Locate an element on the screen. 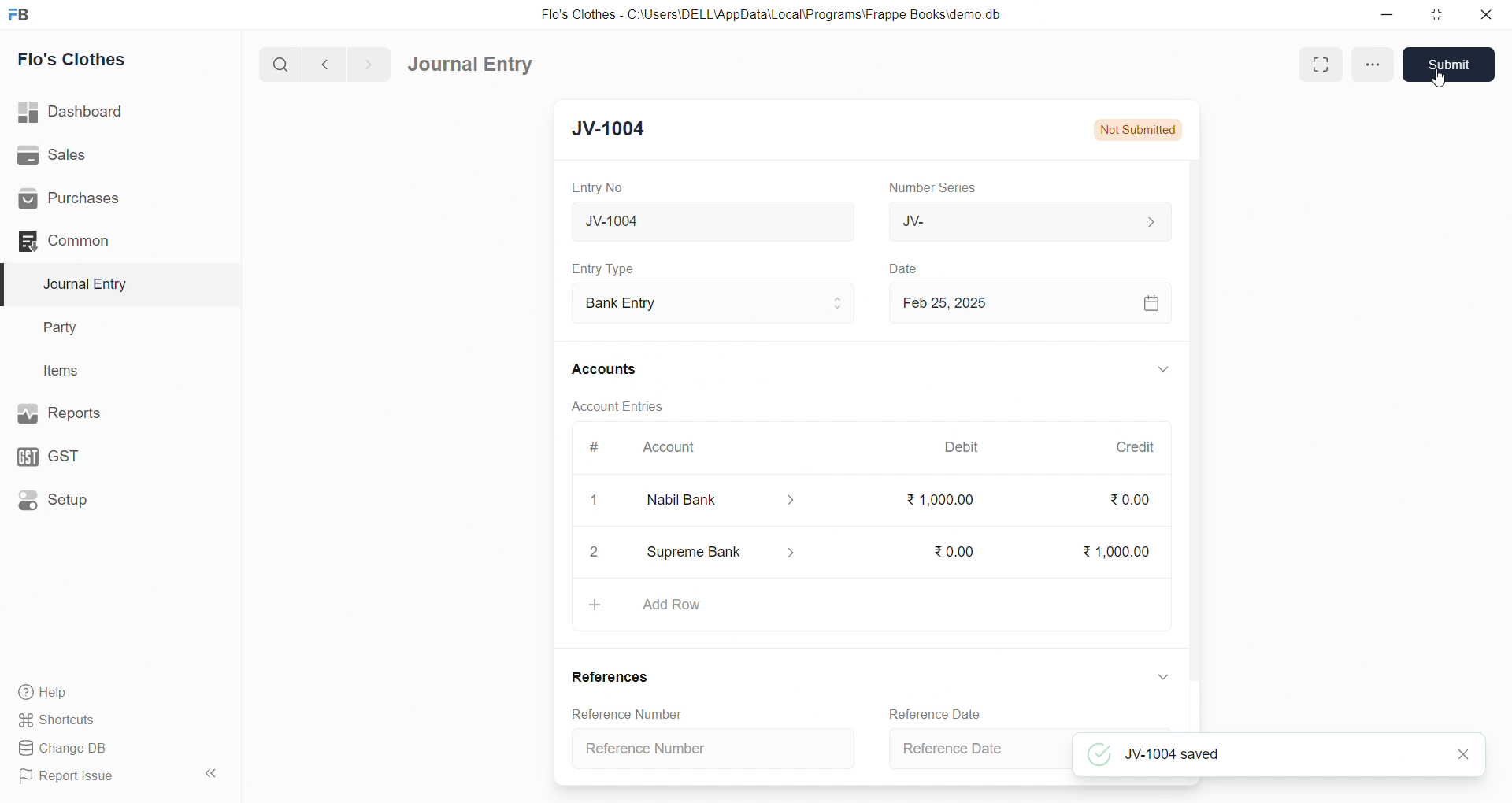 The image size is (1512, 803). Credit is located at coordinates (1135, 447).